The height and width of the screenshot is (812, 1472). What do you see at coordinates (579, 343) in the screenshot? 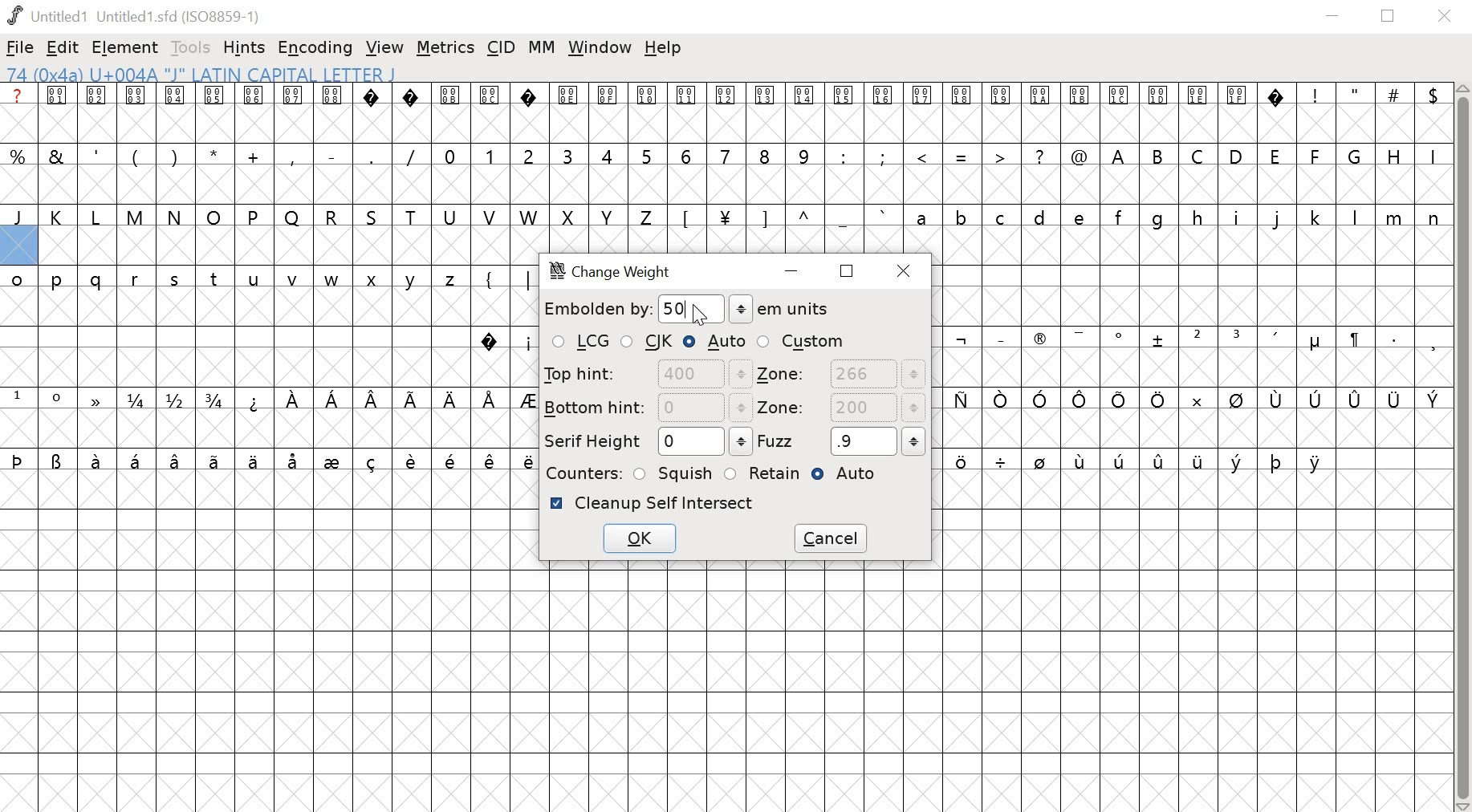
I see `LCG` at bounding box center [579, 343].